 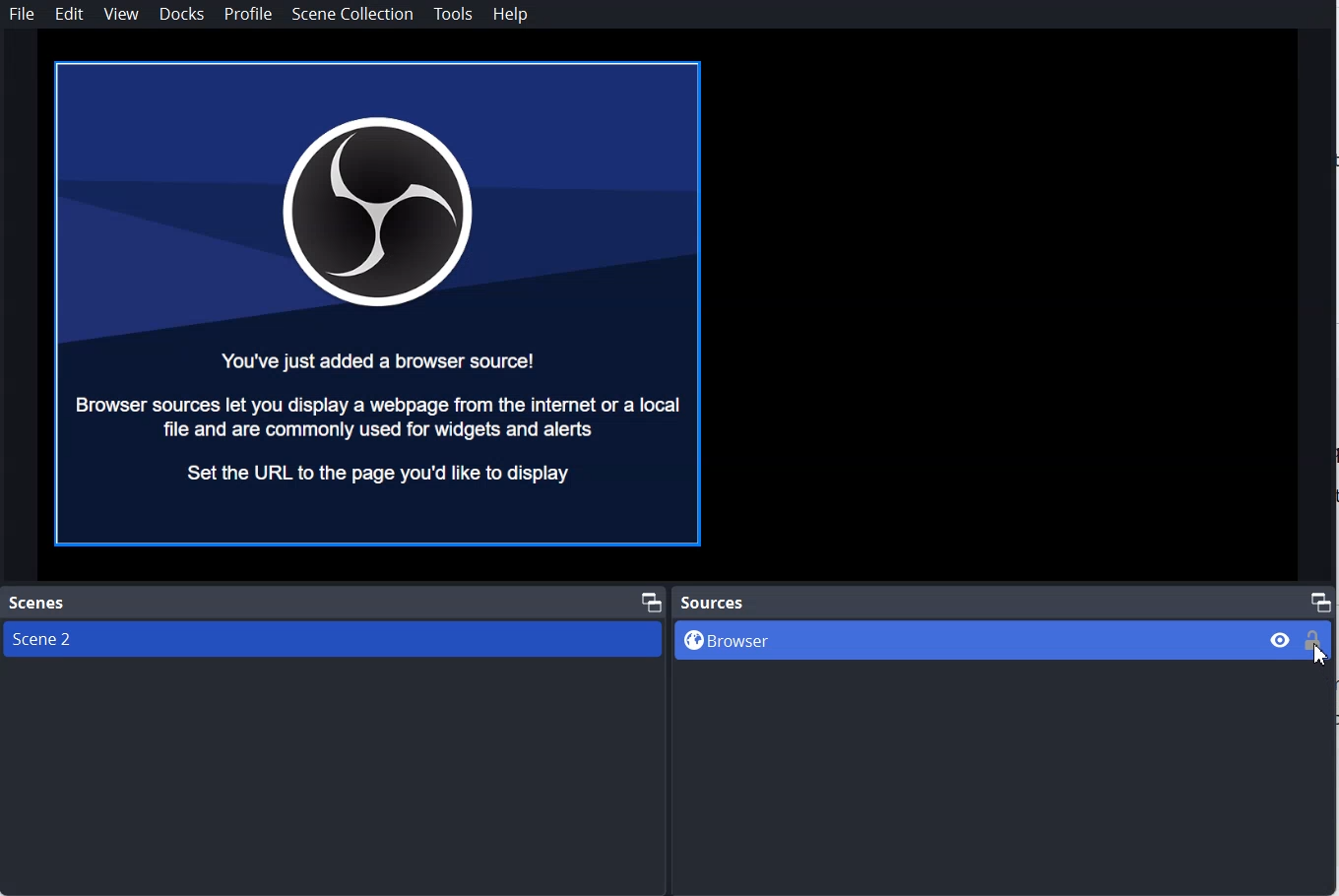 I want to click on File Preview, so click(x=380, y=304).